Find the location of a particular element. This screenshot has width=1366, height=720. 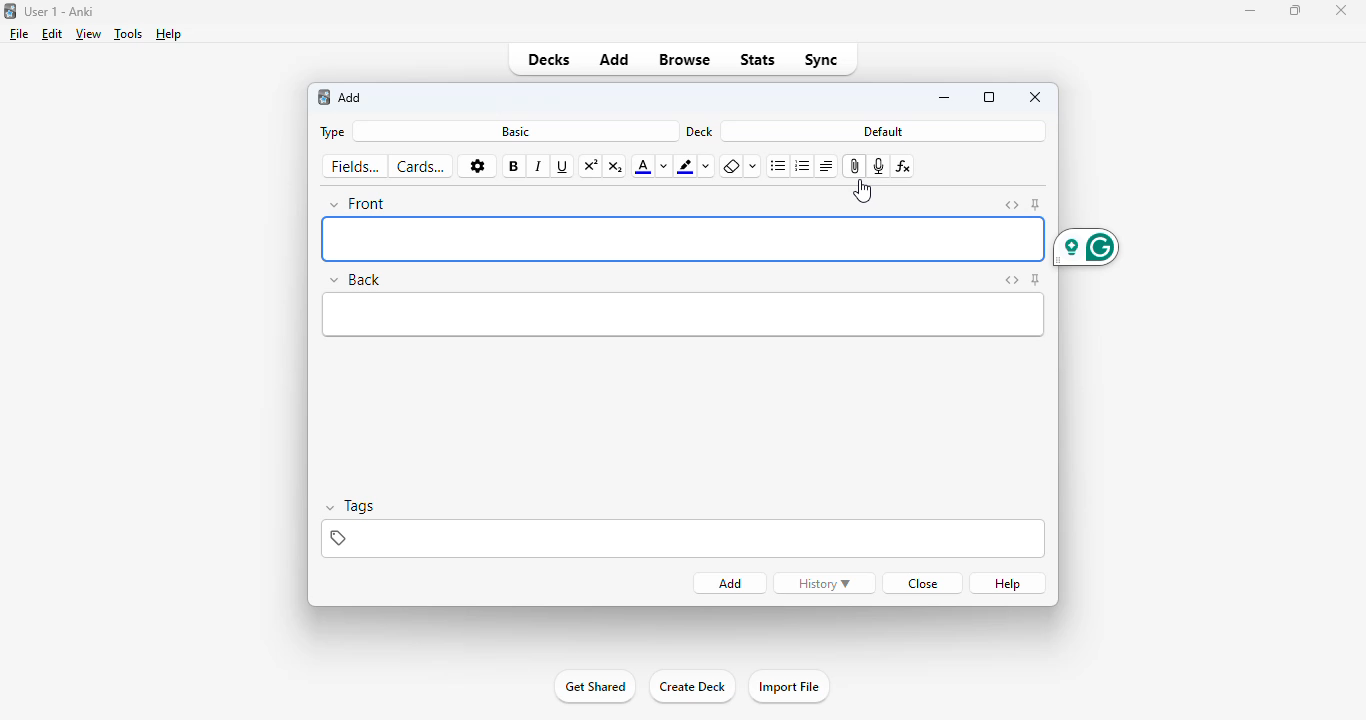

title is located at coordinates (60, 11).